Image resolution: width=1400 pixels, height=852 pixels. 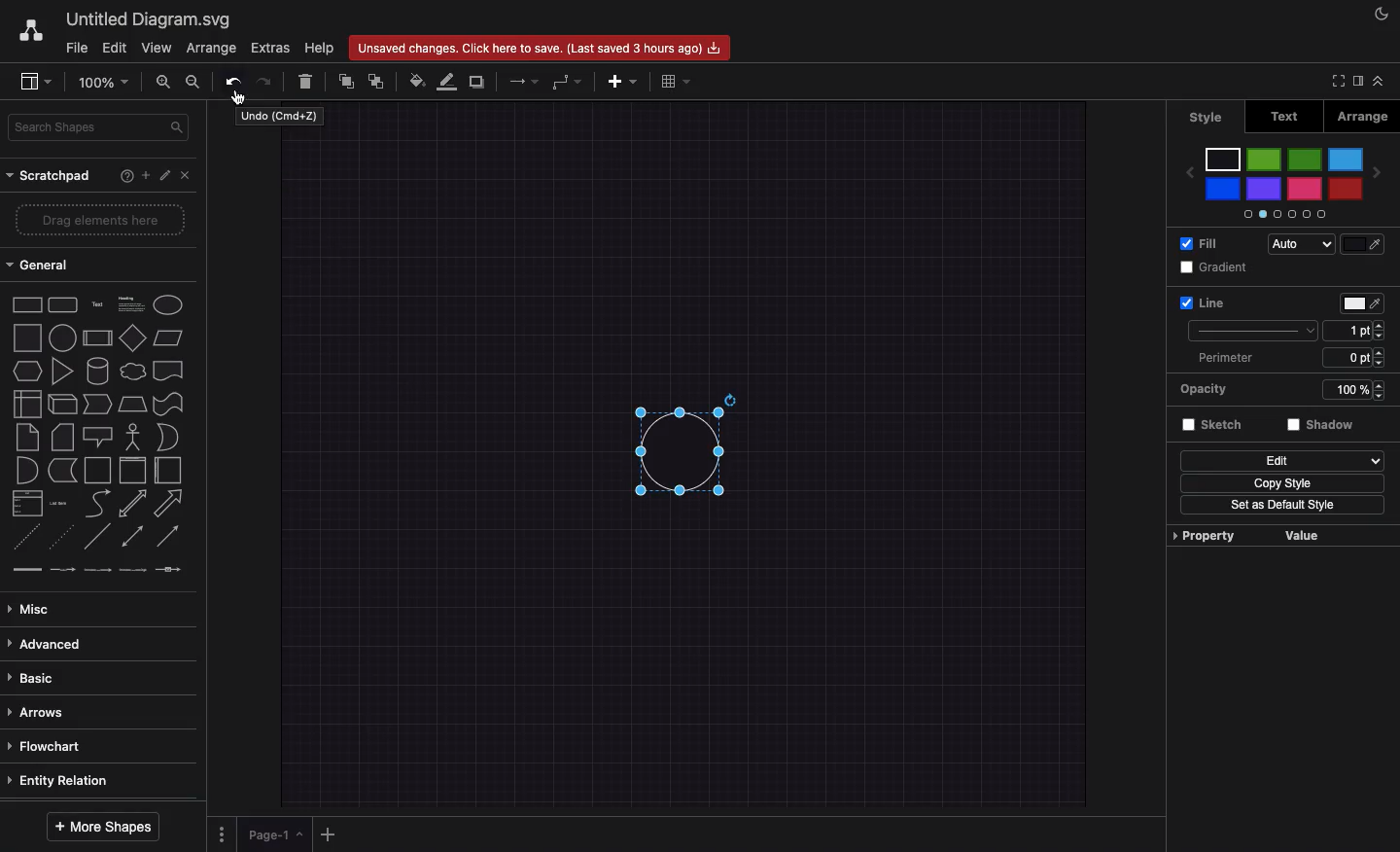 What do you see at coordinates (164, 177) in the screenshot?
I see `Edit` at bounding box center [164, 177].